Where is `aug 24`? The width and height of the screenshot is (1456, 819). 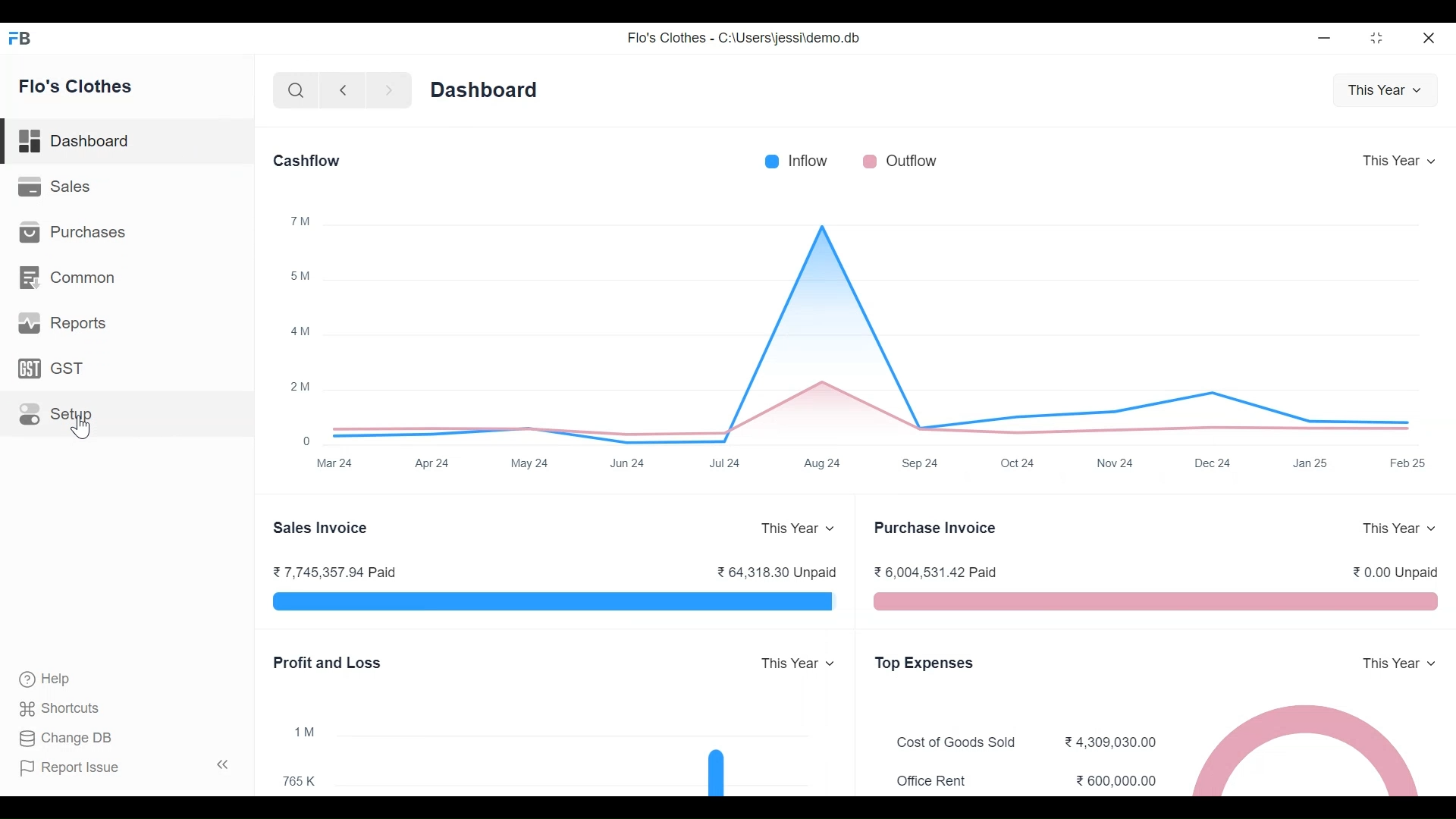 aug 24 is located at coordinates (823, 463).